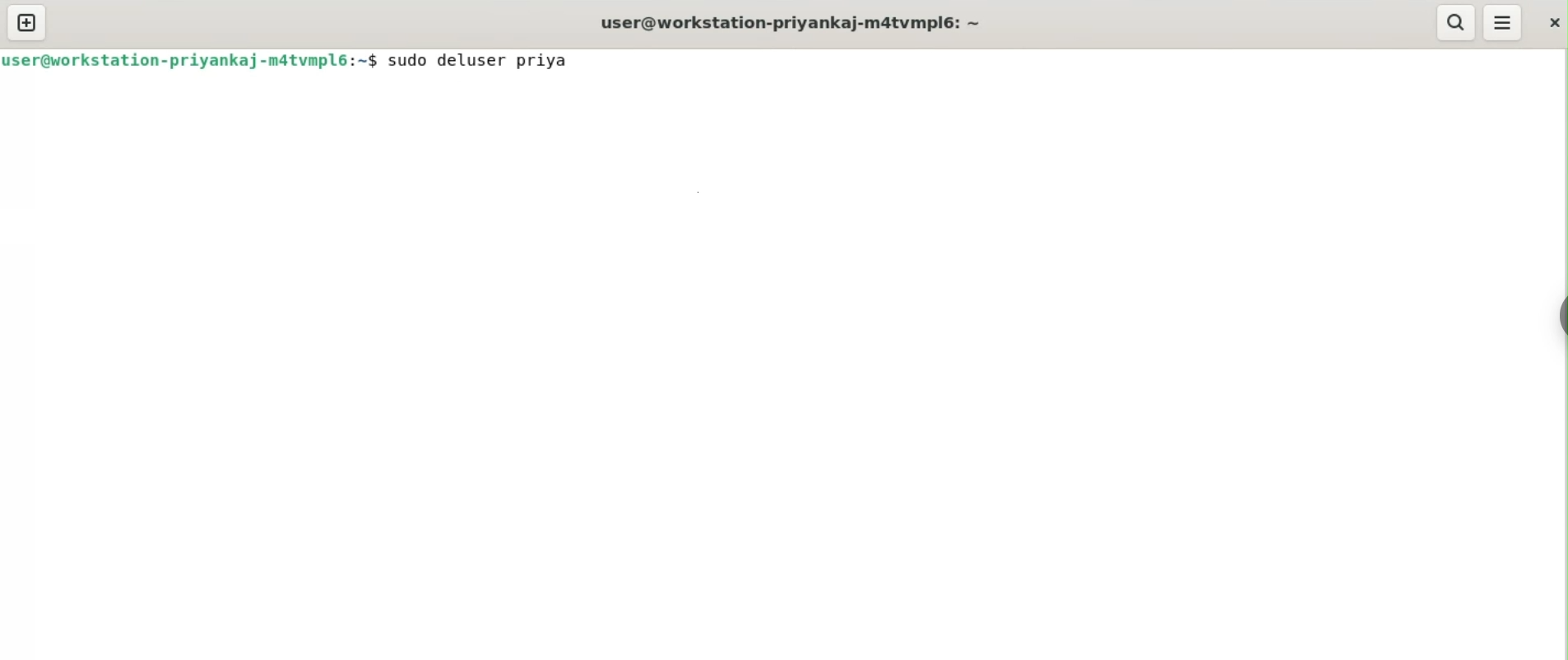  What do you see at coordinates (473, 64) in the screenshot?
I see `$ sudo deluser priya` at bounding box center [473, 64].